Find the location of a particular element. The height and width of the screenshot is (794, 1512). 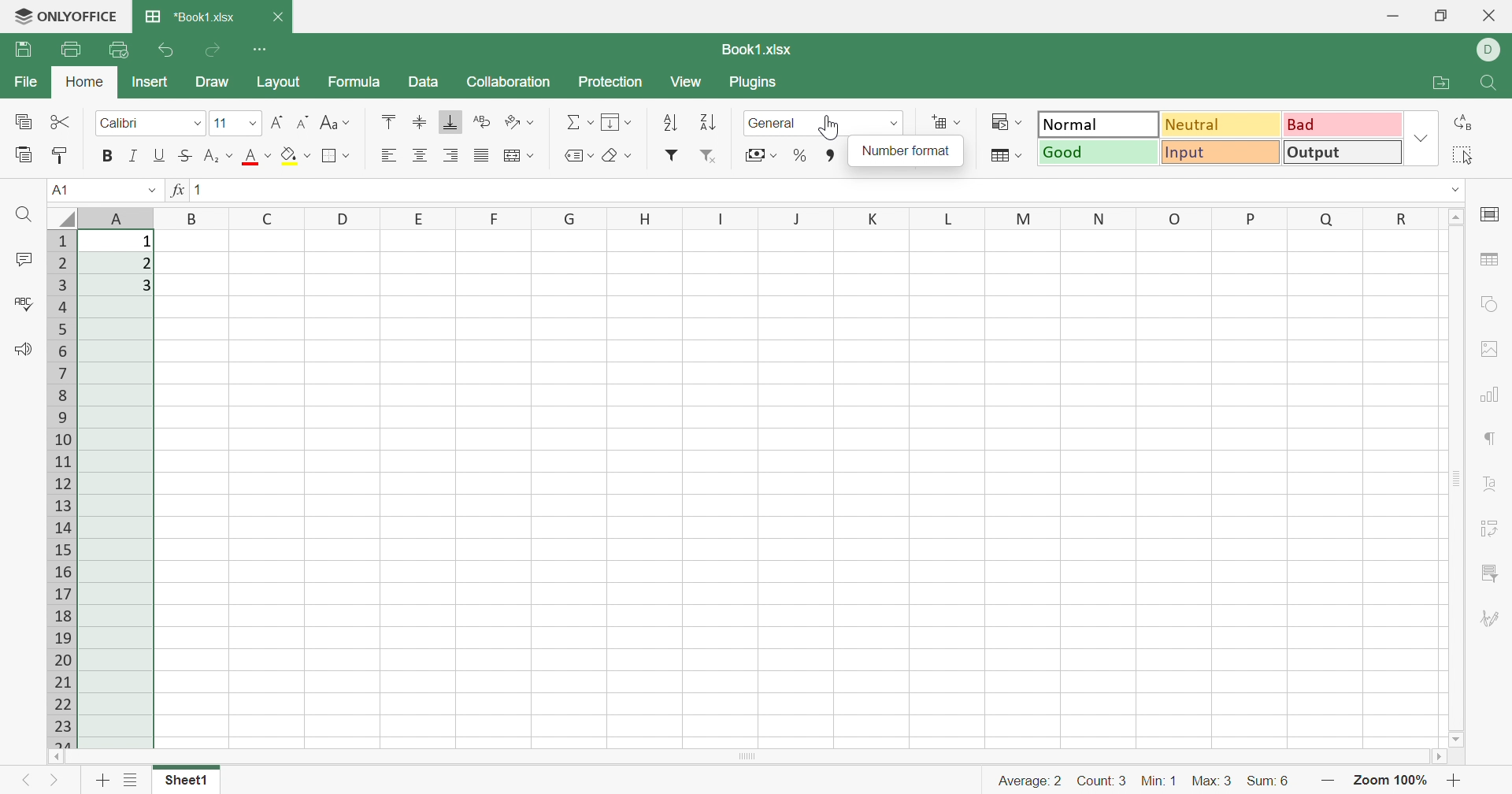

Conditional formatting is located at coordinates (1005, 121).